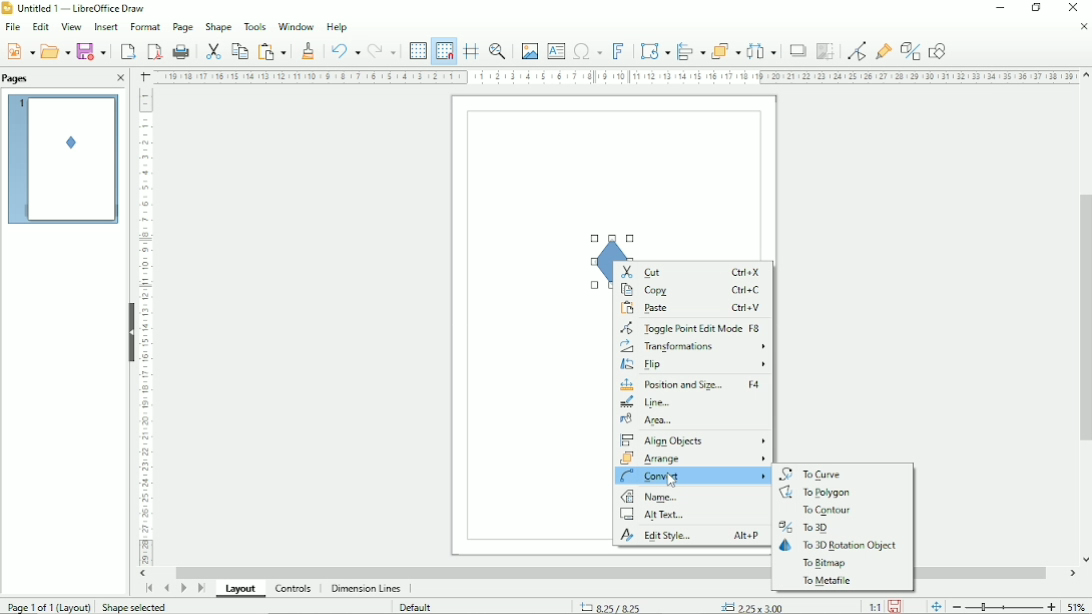 The width and height of the screenshot is (1092, 614). Describe the element at coordinates (182, 27) in the screenshot. I see `Page` at that location.